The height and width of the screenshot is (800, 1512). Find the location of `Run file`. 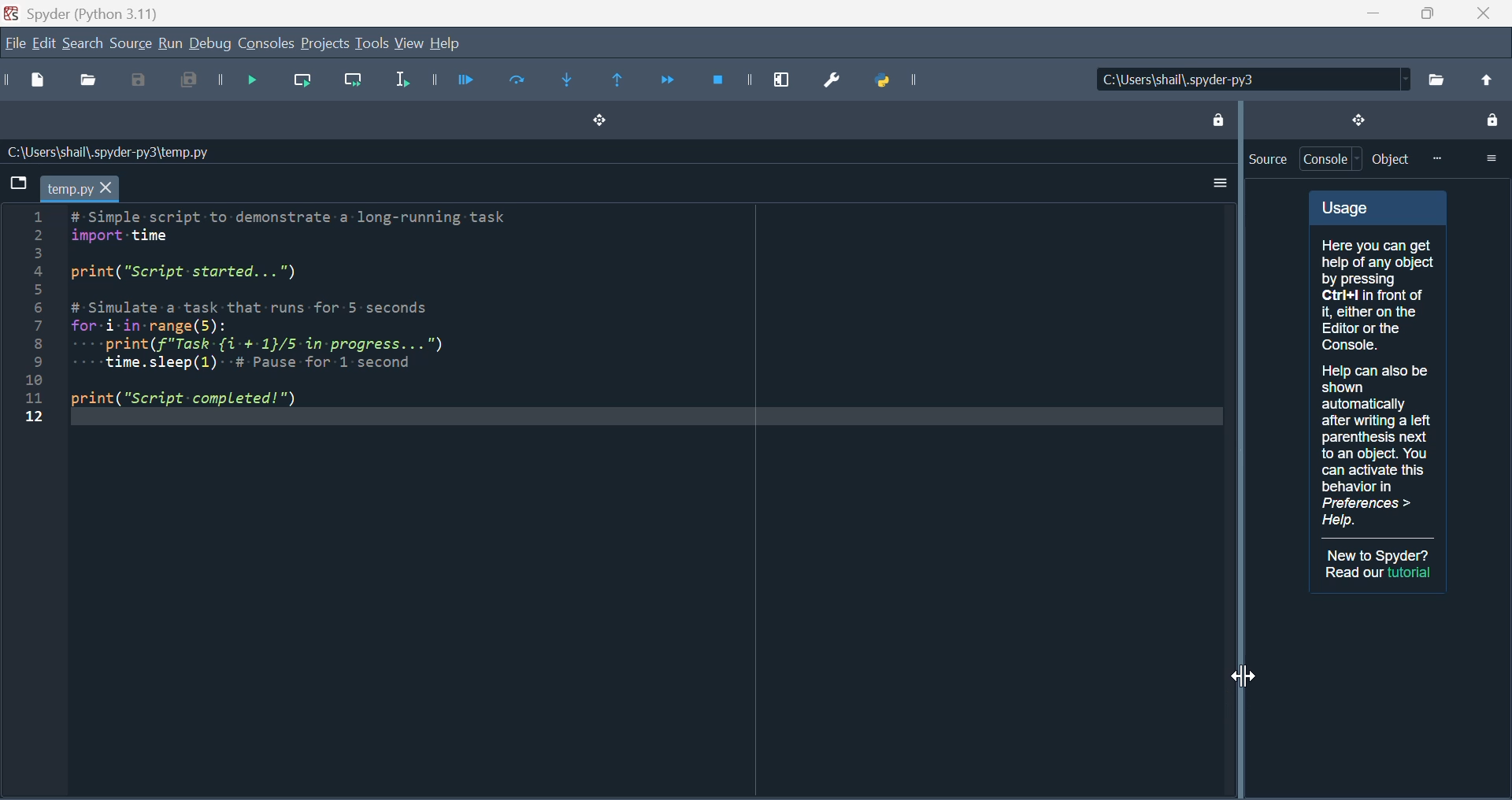

Run file is located at coordinates (465, 80).